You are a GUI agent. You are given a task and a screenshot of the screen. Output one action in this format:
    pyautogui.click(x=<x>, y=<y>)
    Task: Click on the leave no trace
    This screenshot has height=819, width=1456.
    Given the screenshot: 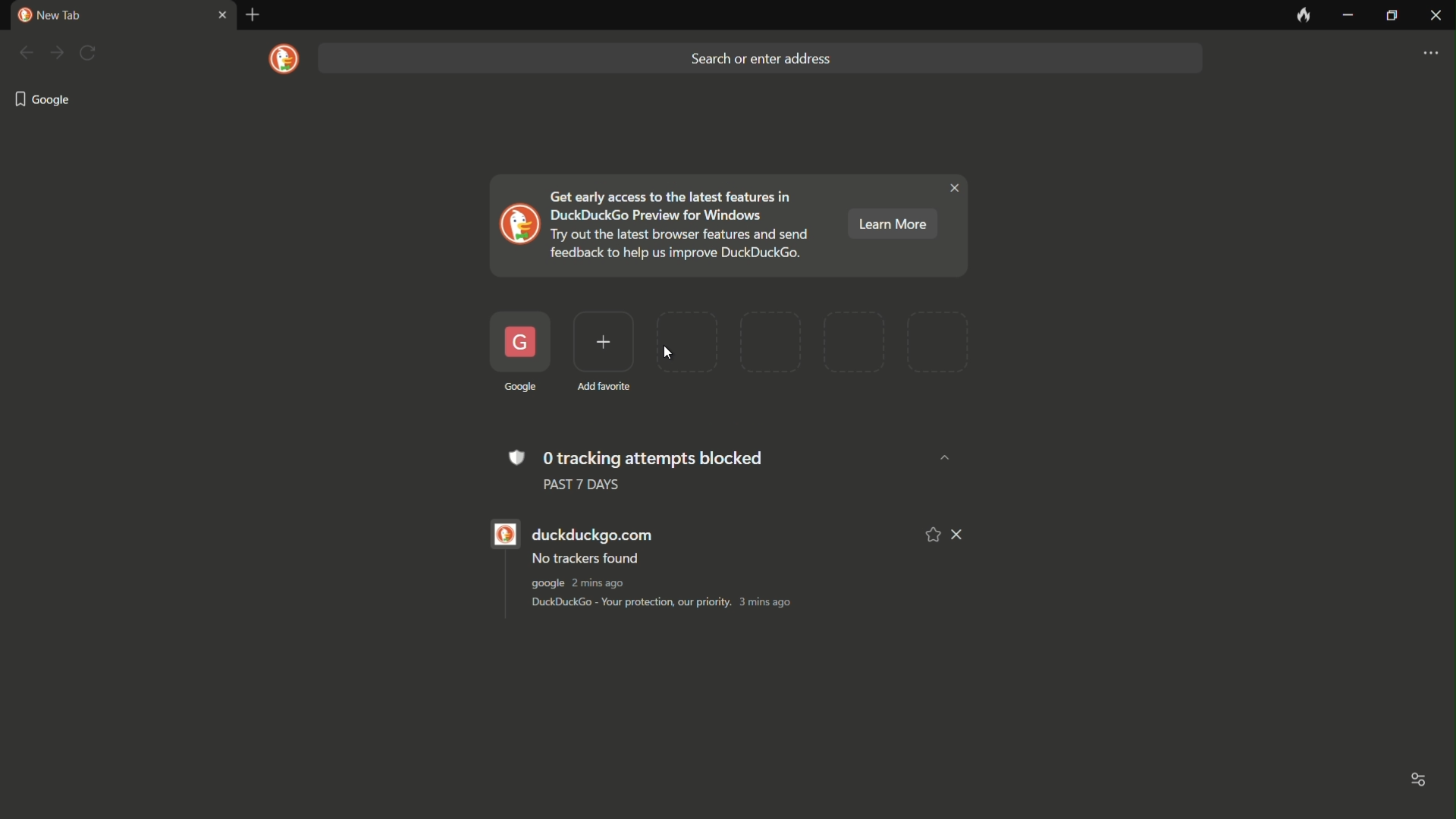 What is the action you would take?
    pyautogui.click(x=1302, y=16)
    